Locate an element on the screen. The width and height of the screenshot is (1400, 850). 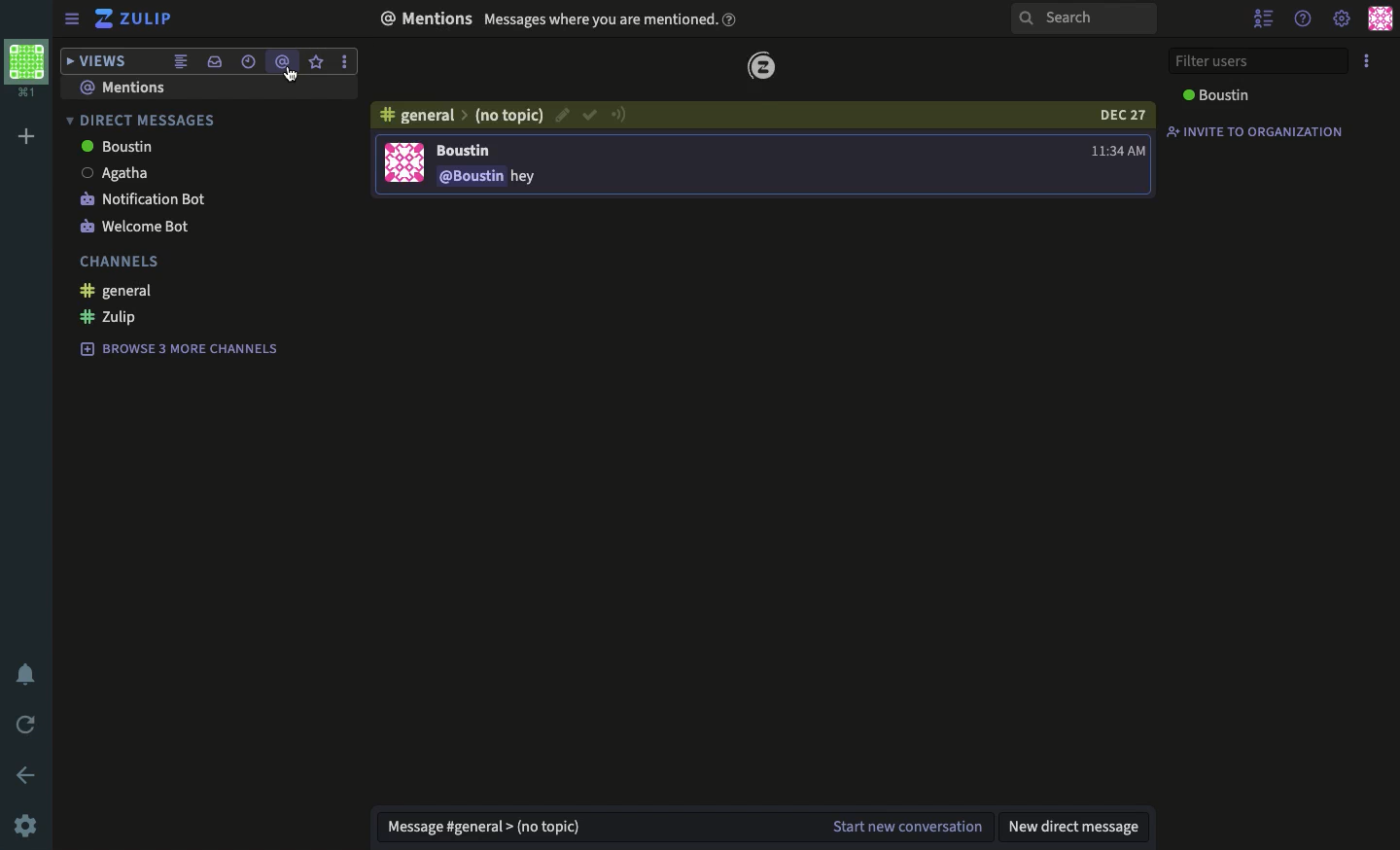
zulip is located at coordinates (765, 66).